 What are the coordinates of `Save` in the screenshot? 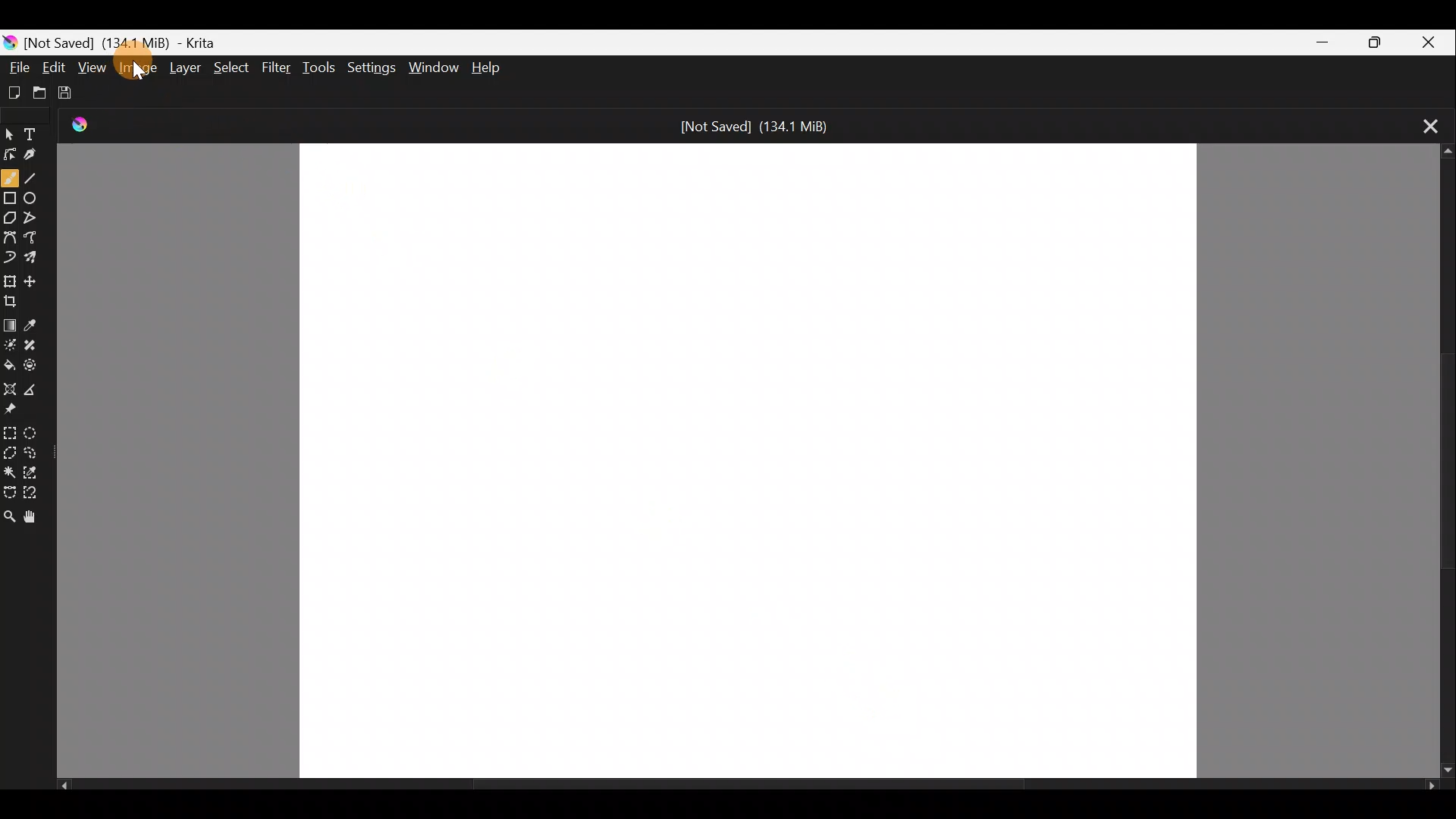 It's located at (76, 93).